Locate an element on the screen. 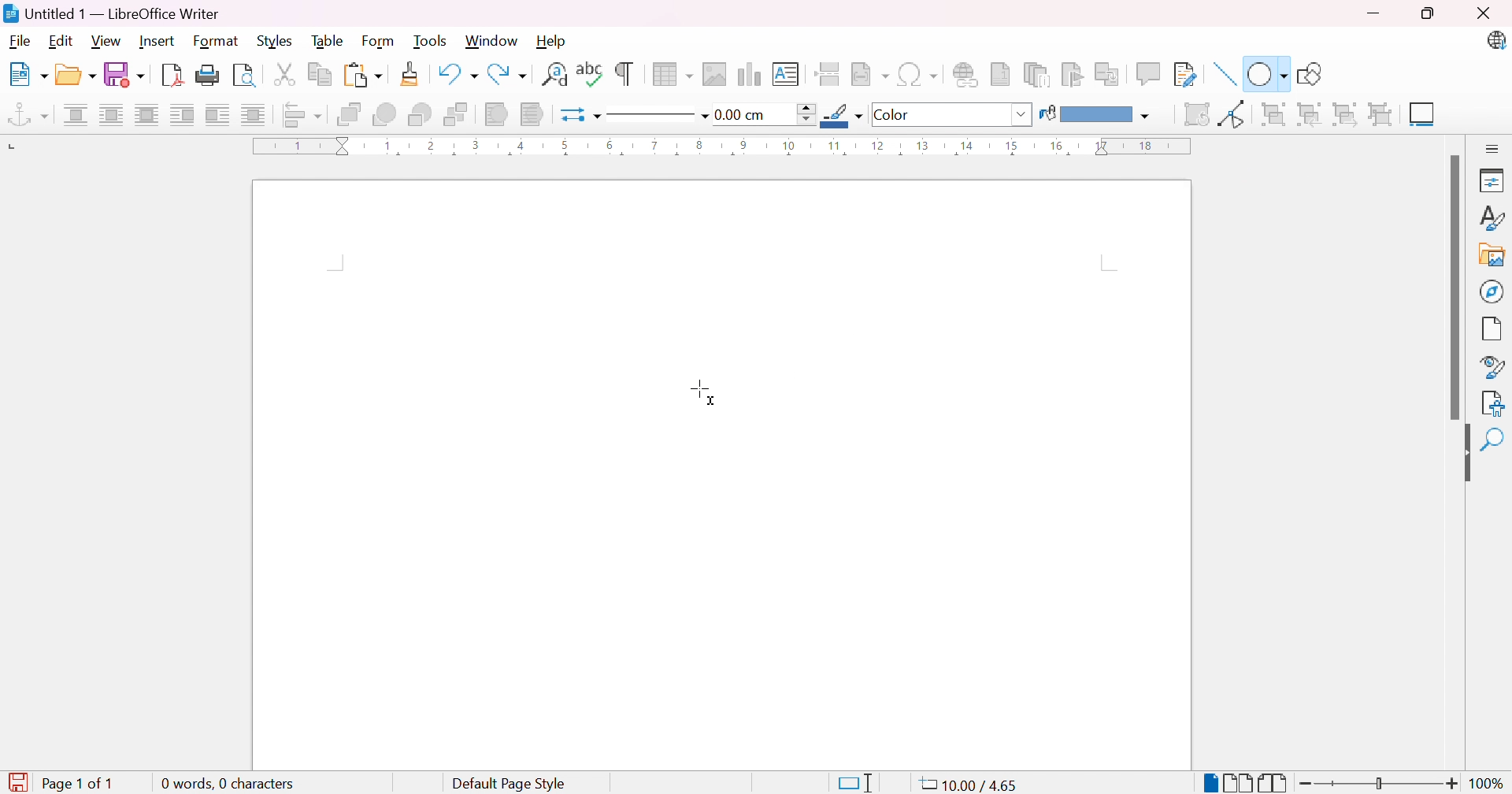  To background is located at coordinates (532, 115).